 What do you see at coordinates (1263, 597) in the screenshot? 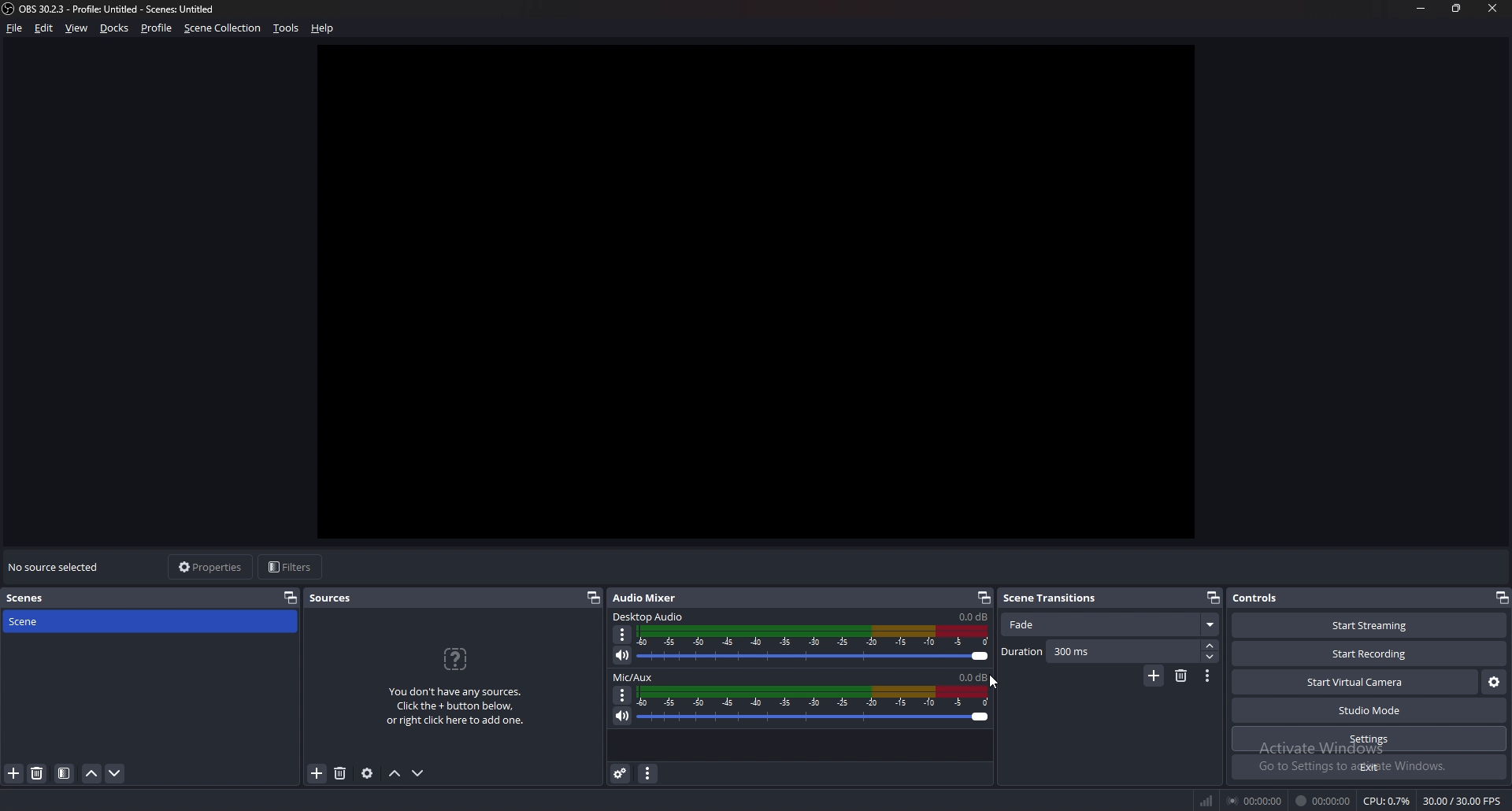
I see `controls` at bounding box center [1263, 597].